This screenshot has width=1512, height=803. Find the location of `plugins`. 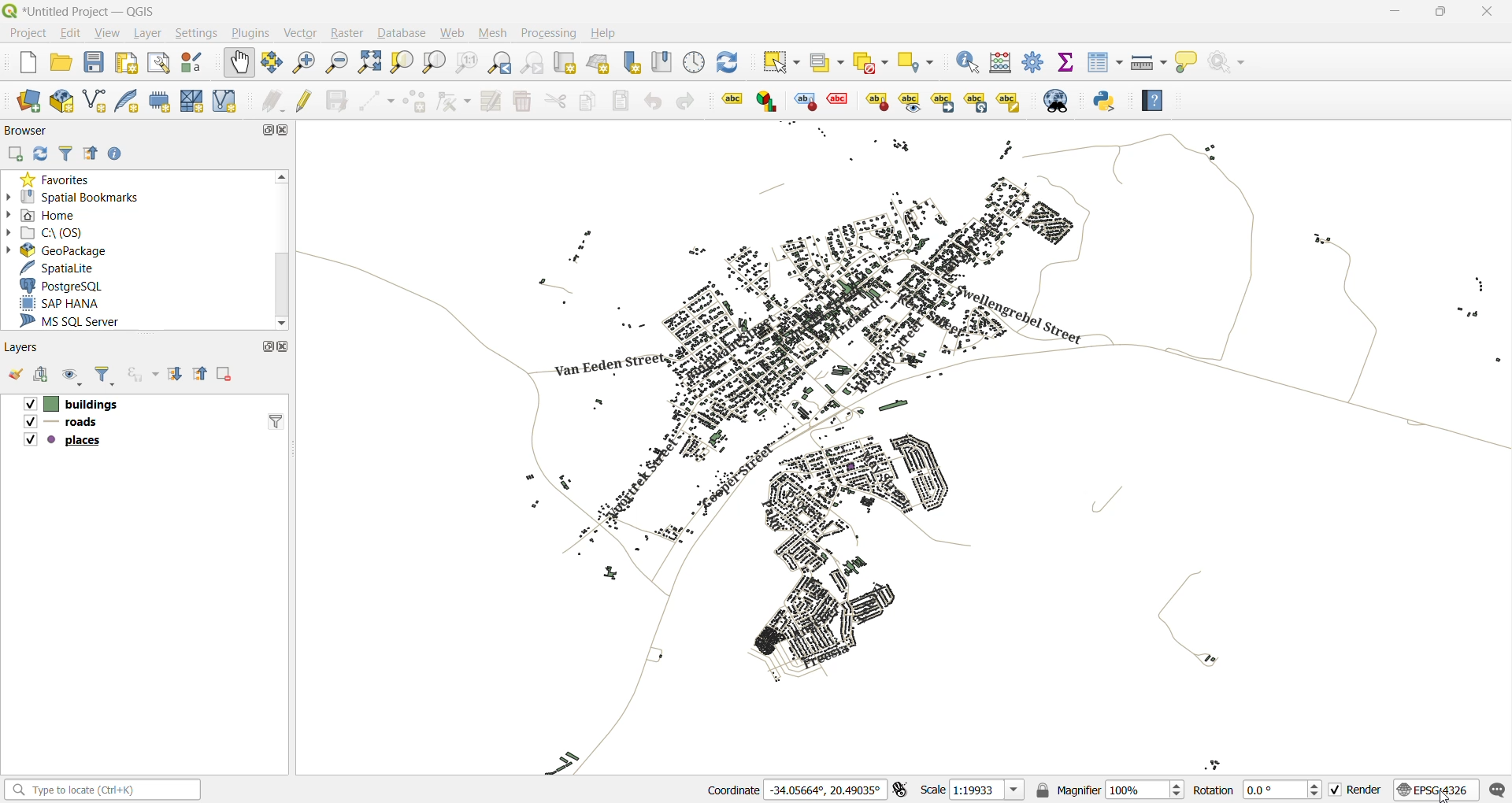

plugins is located at coordinates (249, 35).